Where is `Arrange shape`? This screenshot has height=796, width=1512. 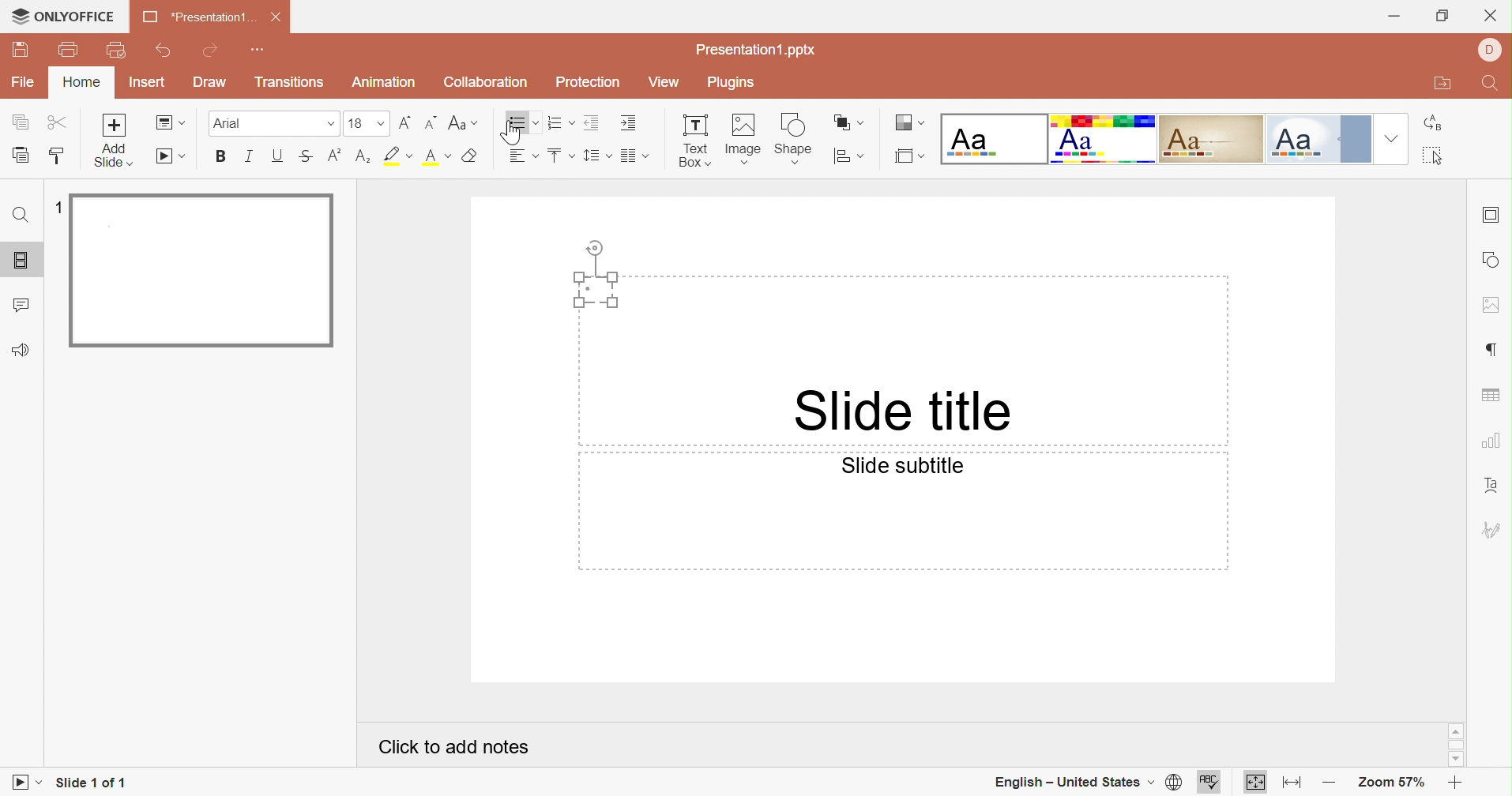 Arrange shape is located at coordinates (849, 122).